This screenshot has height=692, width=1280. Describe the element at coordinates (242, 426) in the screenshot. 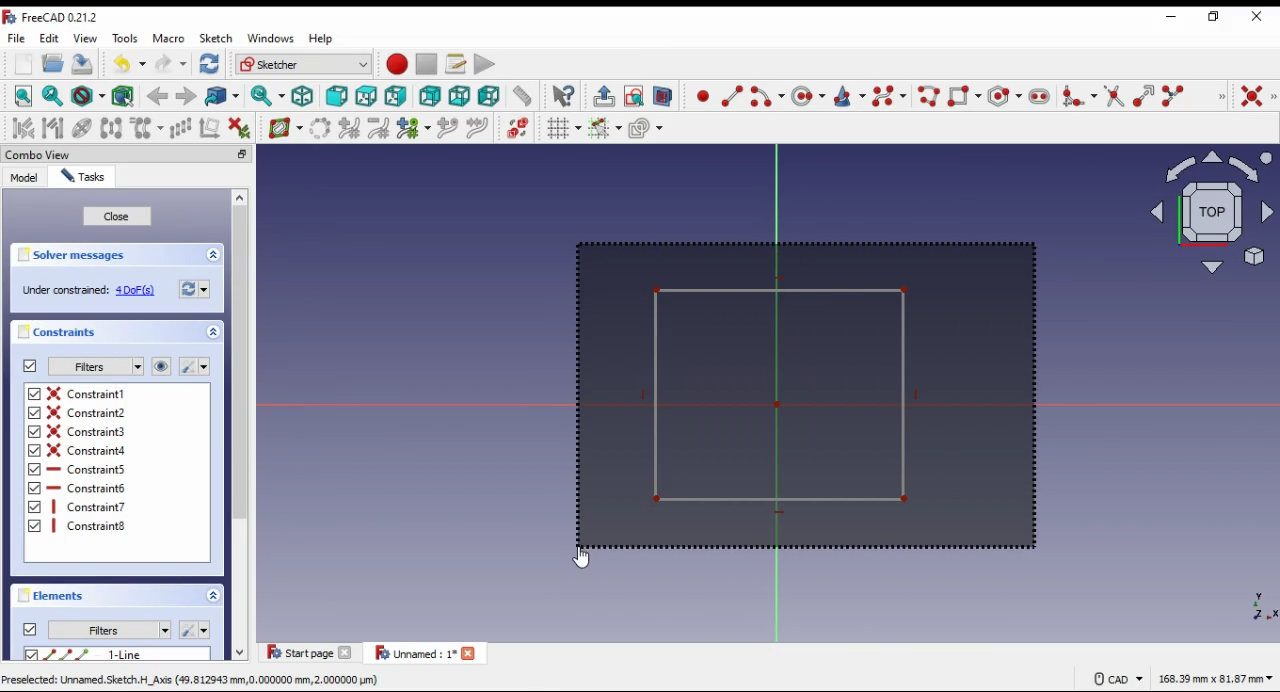

I see `scroll bar` at that location.